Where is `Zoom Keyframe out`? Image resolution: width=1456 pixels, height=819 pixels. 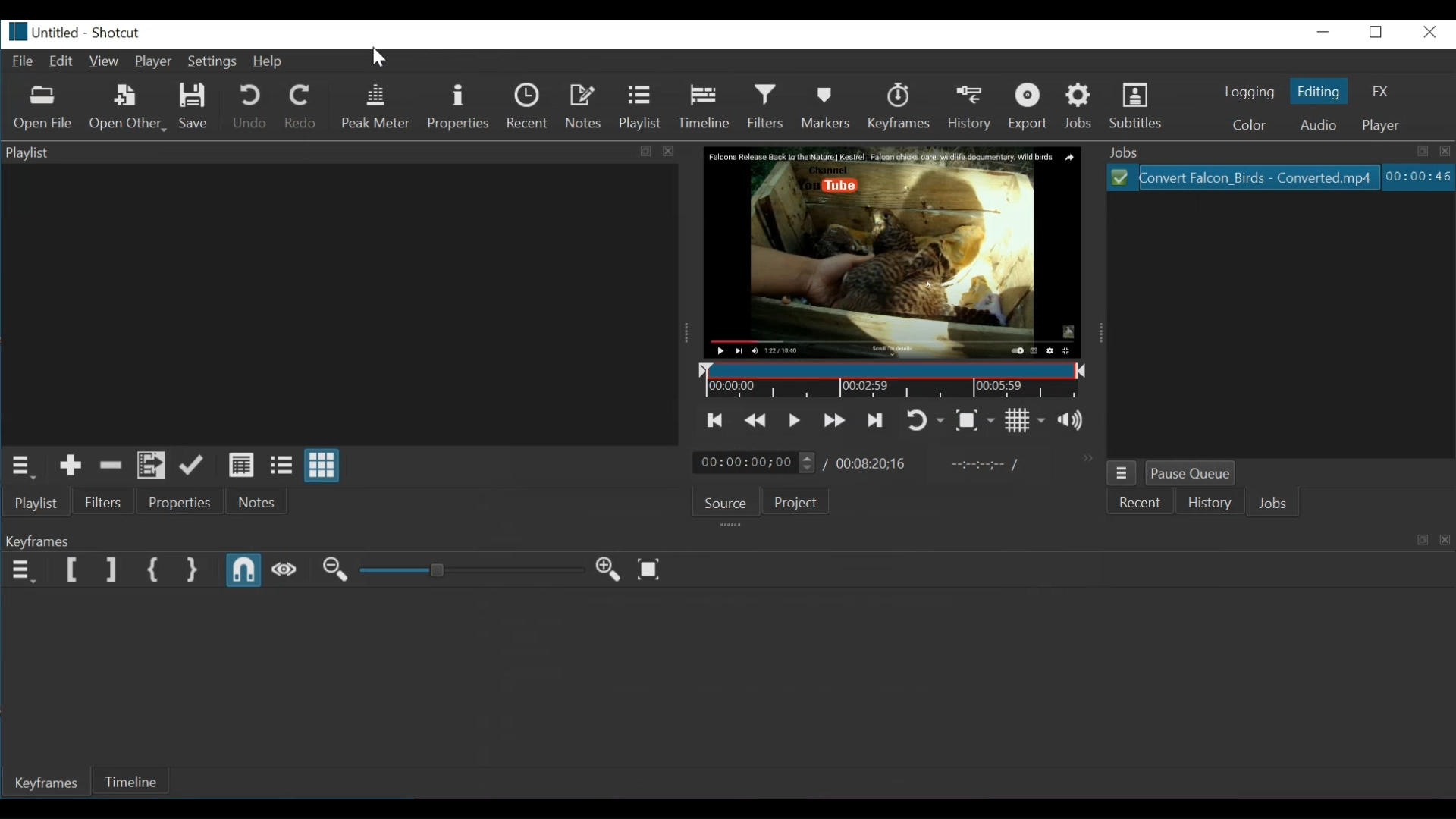 Zoom Keyframe out is located at coordinates (335, 573).